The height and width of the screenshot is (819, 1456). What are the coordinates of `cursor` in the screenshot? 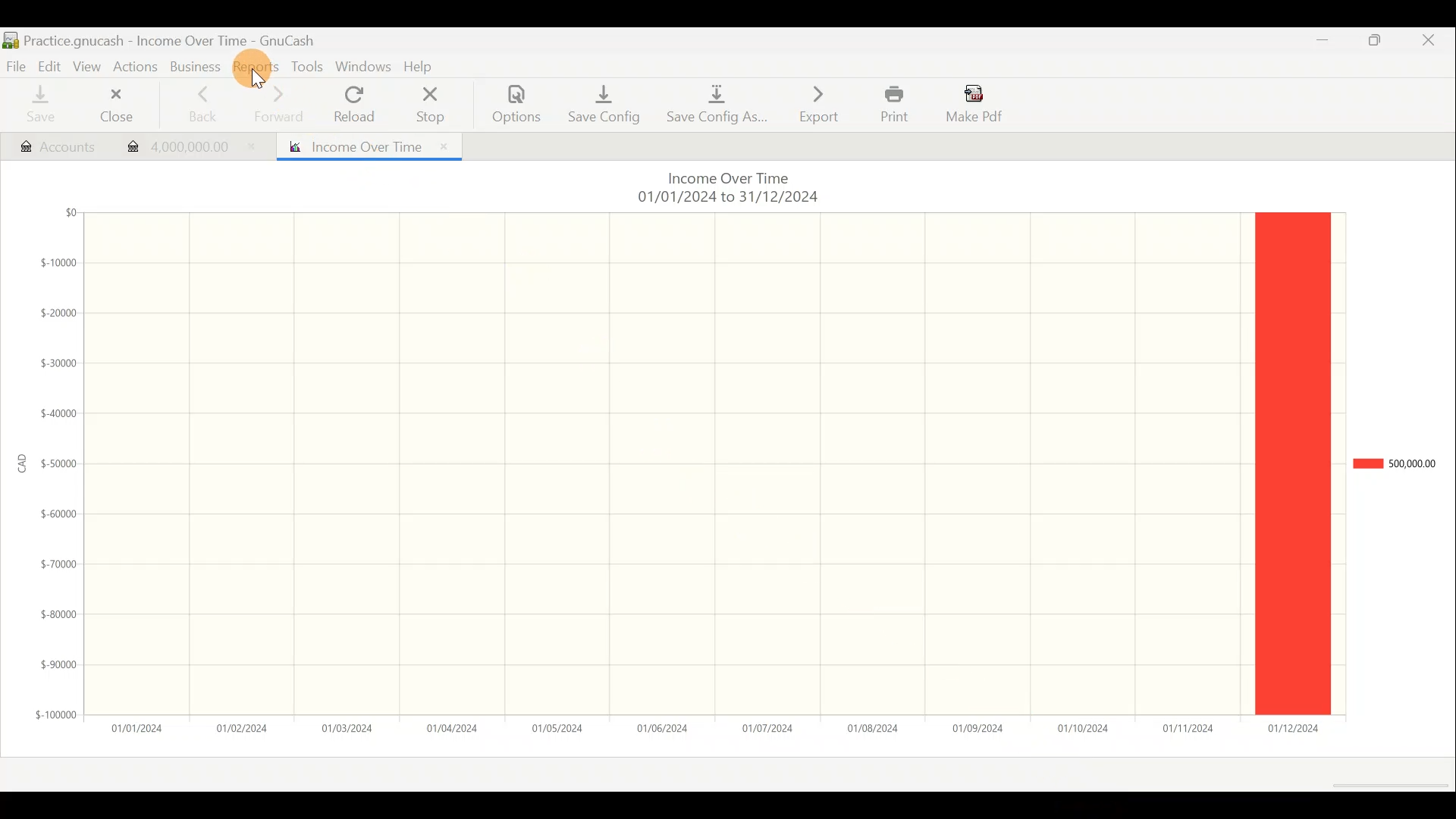 It's located at (262, 80).